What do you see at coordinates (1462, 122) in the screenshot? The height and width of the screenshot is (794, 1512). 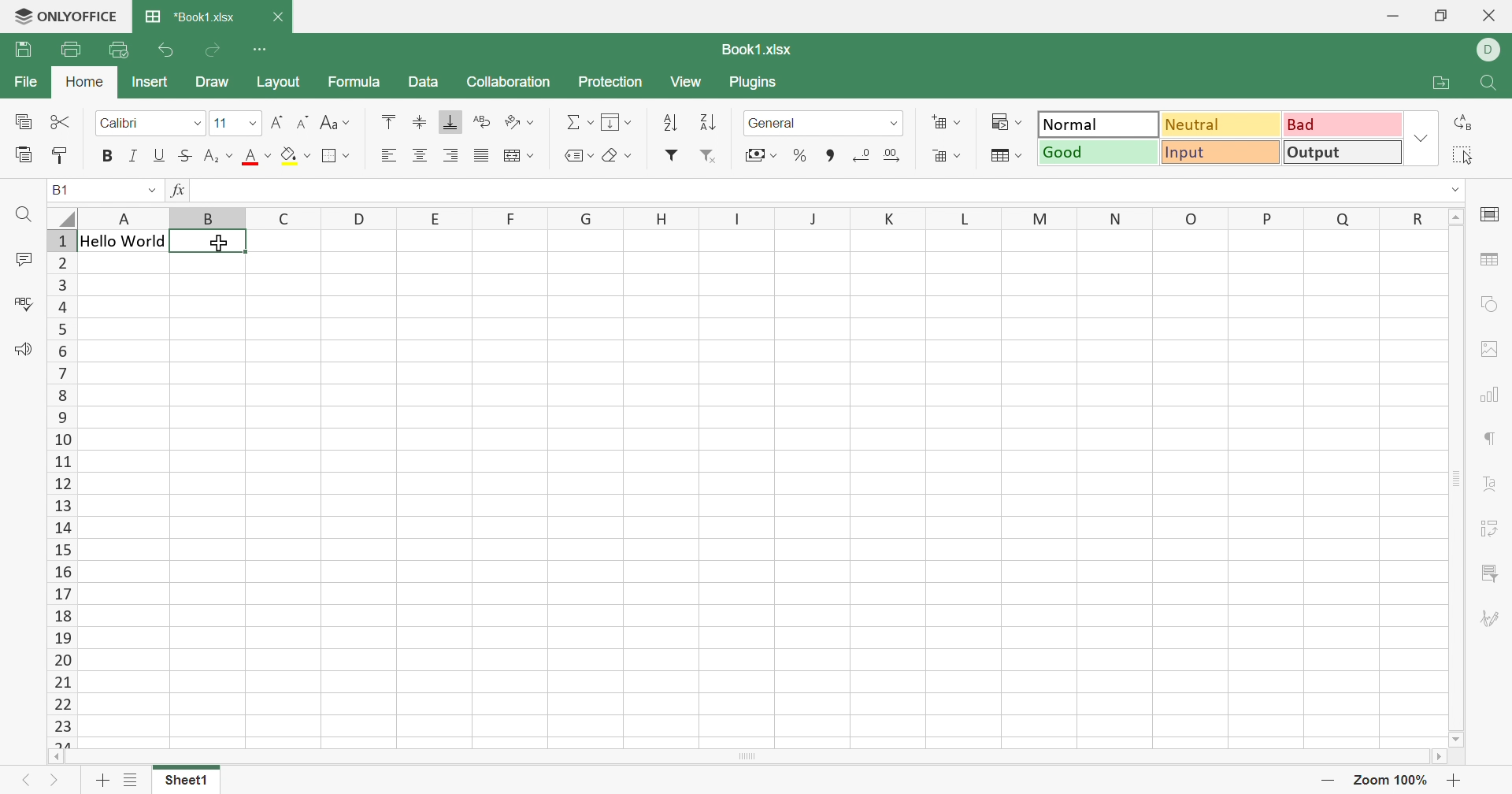 I see `Replace` at bounding box center [1462, 122].